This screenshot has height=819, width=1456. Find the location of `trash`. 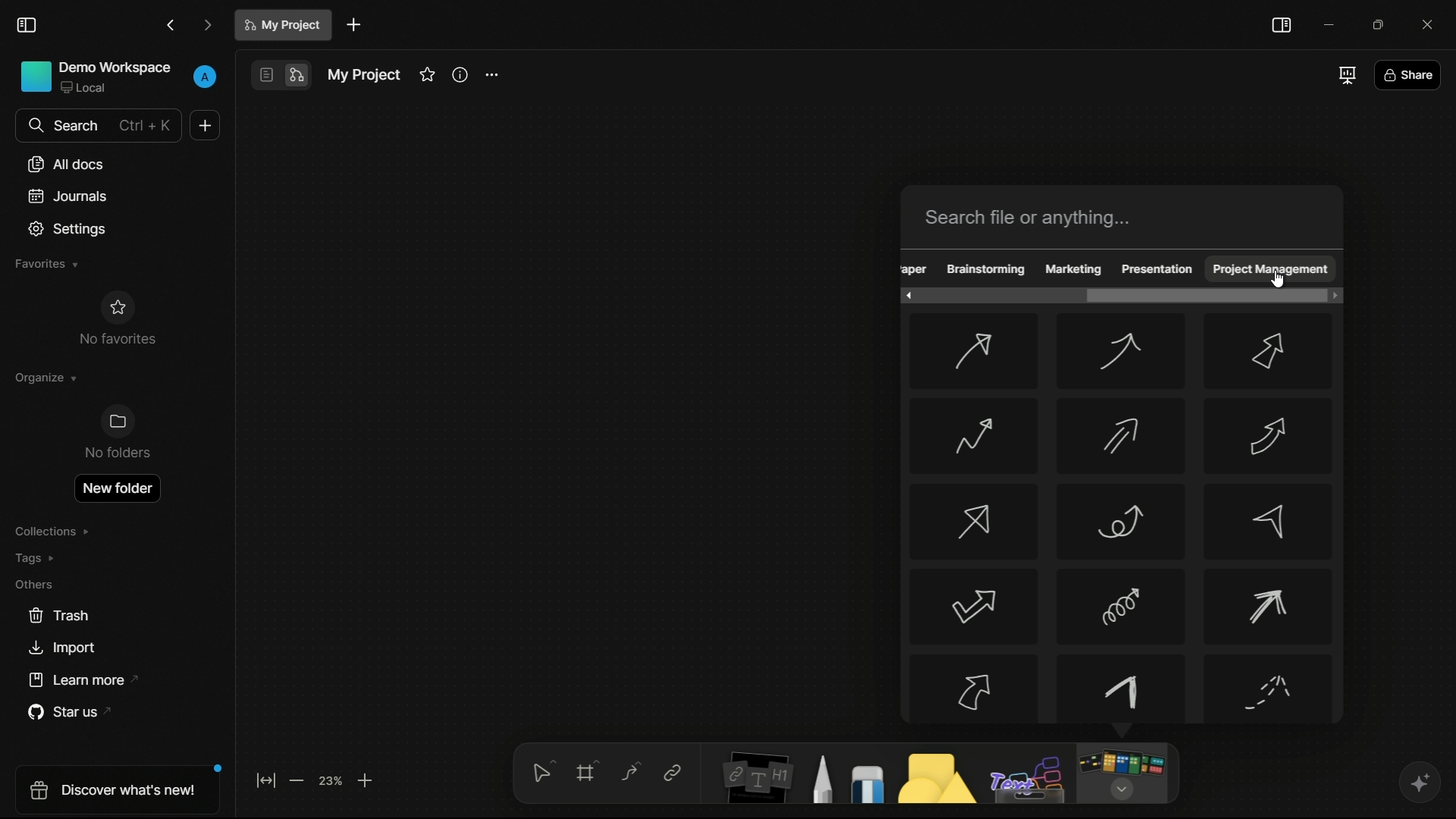

trash is located at coordinates (60, 616).